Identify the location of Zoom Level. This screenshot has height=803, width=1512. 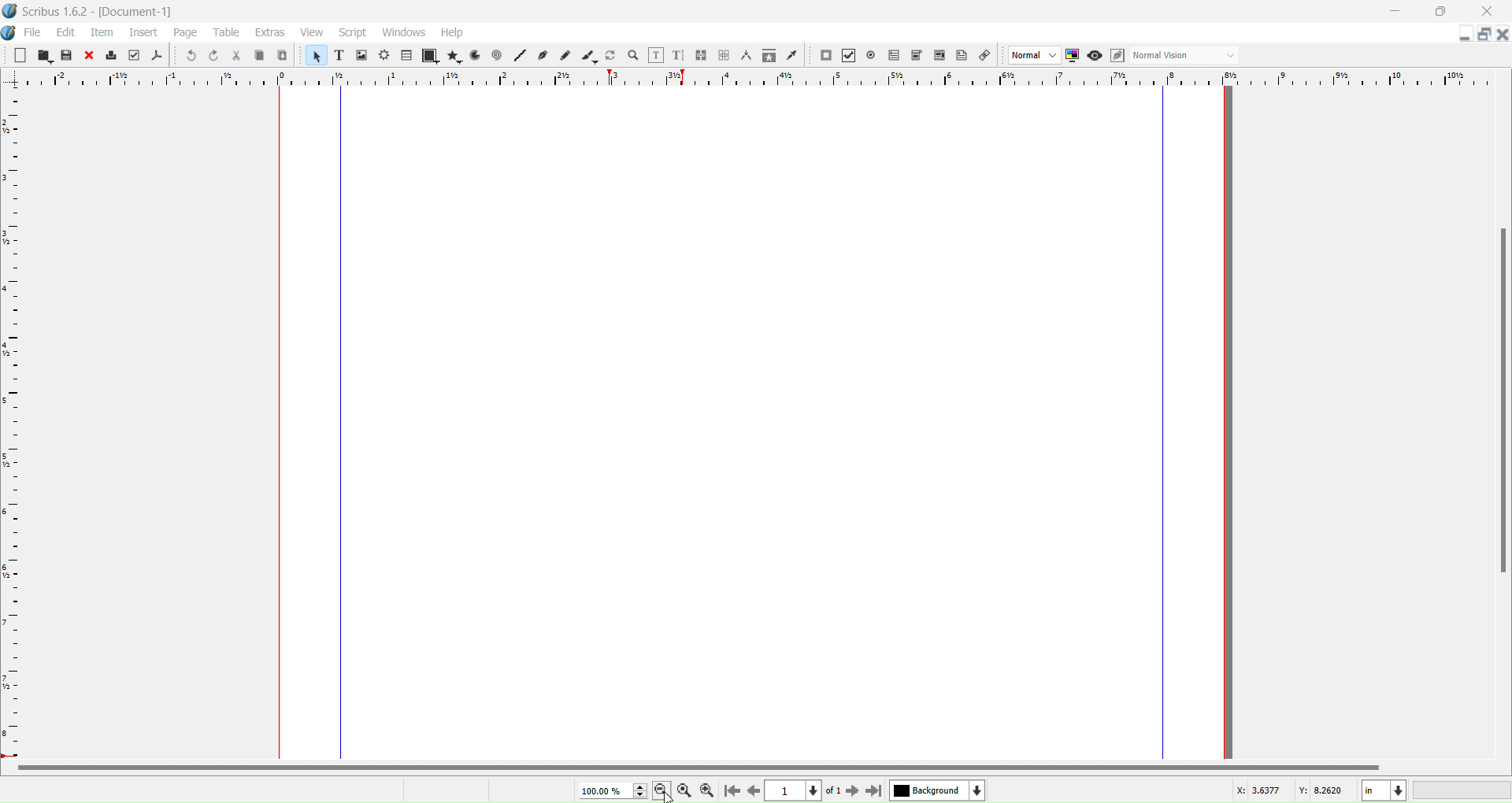
(1462, 790).